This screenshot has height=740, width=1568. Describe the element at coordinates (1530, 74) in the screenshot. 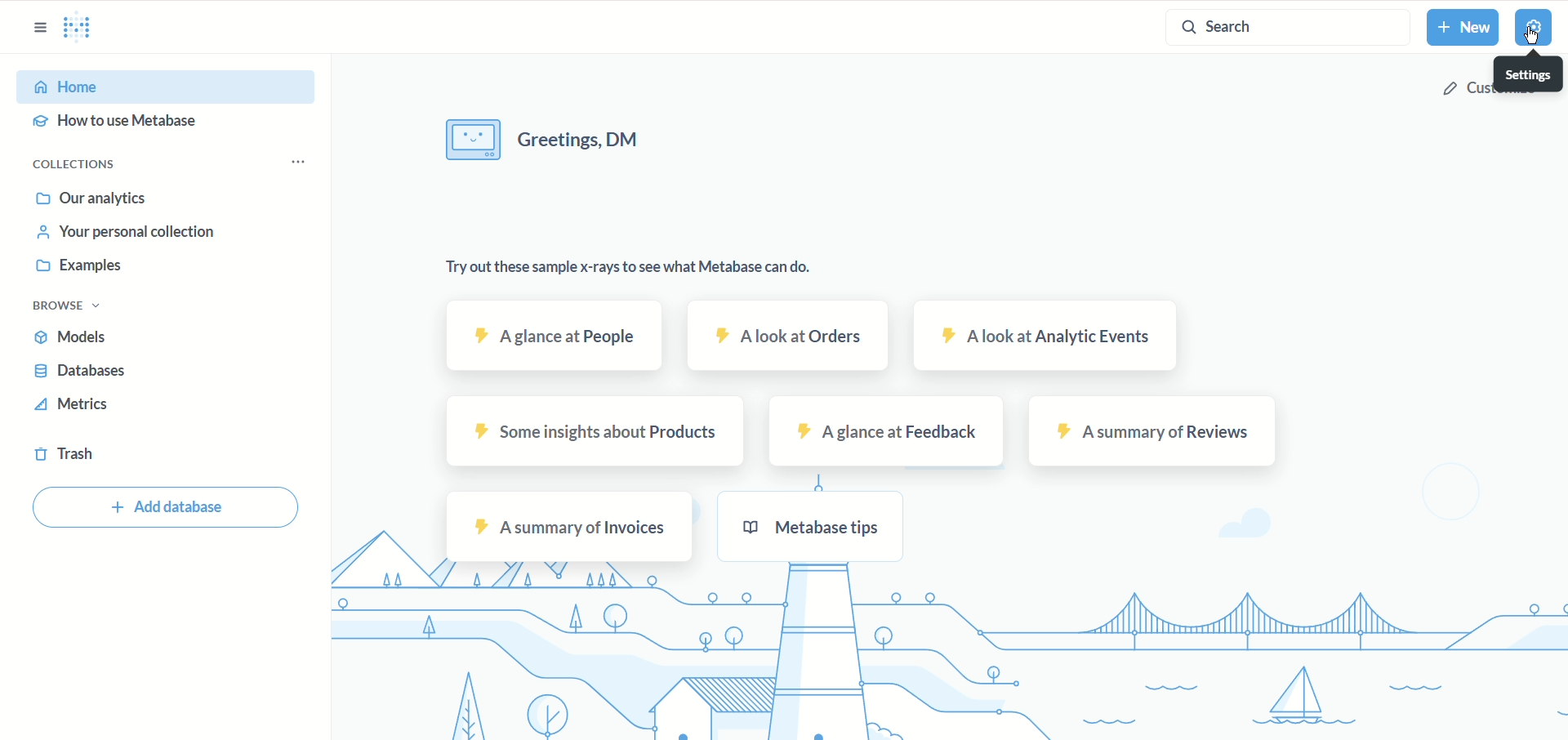

I see `Settings` at that location.